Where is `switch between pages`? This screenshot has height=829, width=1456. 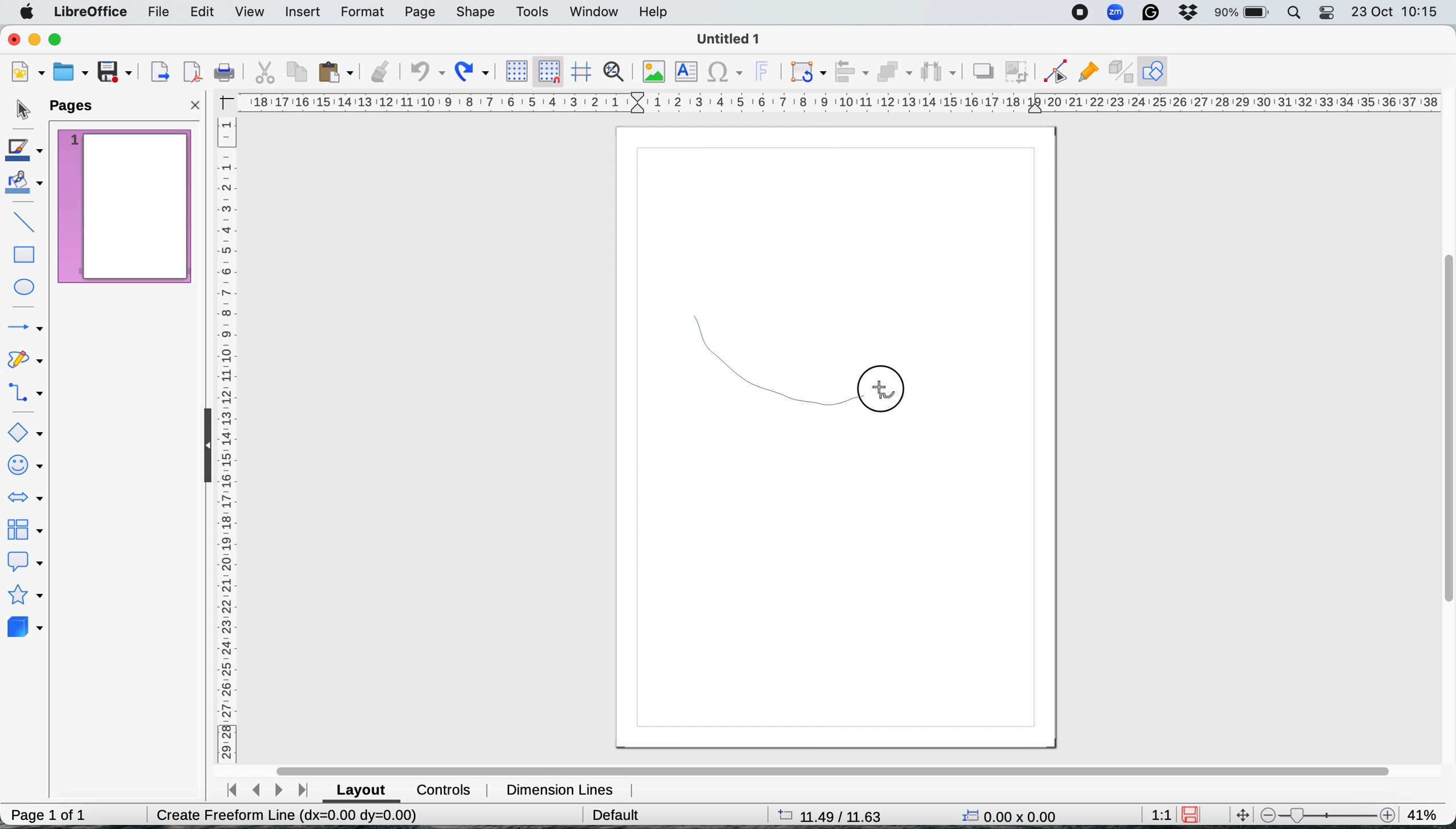 switch between pages is located at coordinates (268, 788).